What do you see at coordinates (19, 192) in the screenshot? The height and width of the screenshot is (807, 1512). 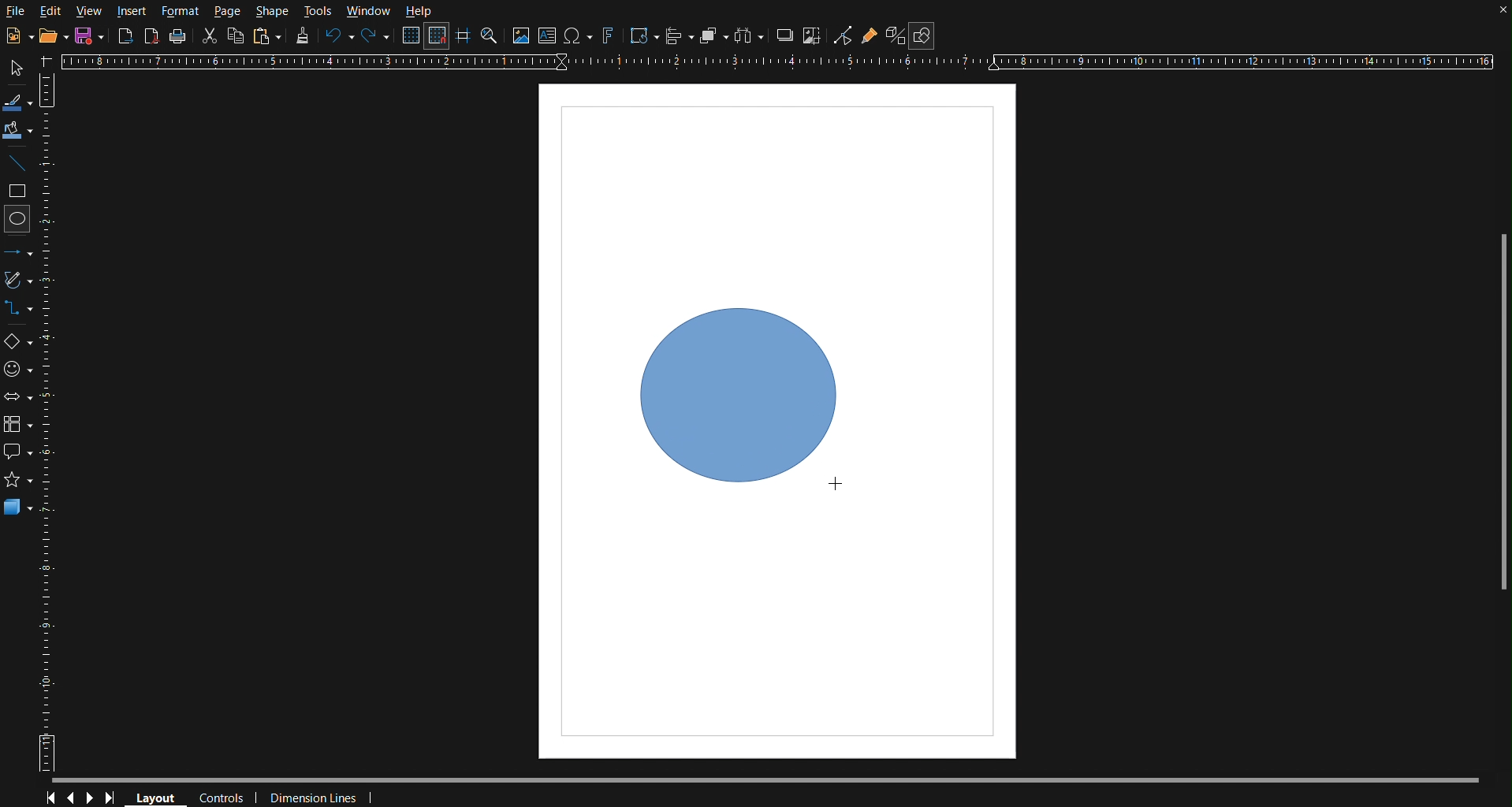 I see `Square` at bounding box center [19, 192].